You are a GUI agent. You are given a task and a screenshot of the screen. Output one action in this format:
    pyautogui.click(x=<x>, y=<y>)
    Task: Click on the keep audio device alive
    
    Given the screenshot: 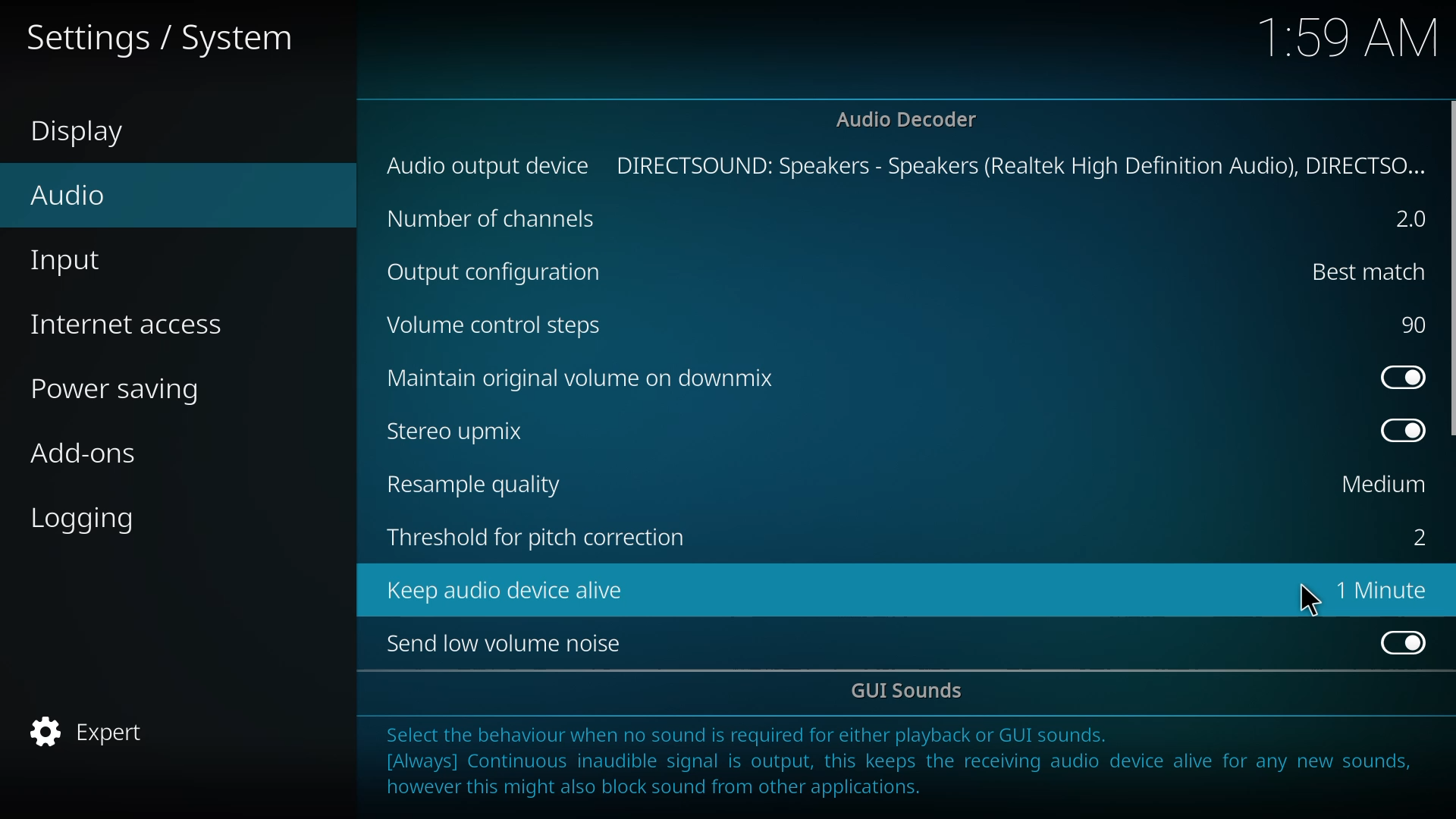 What is the action you would take?
    pyautogui.click(x=510, y=589)
    